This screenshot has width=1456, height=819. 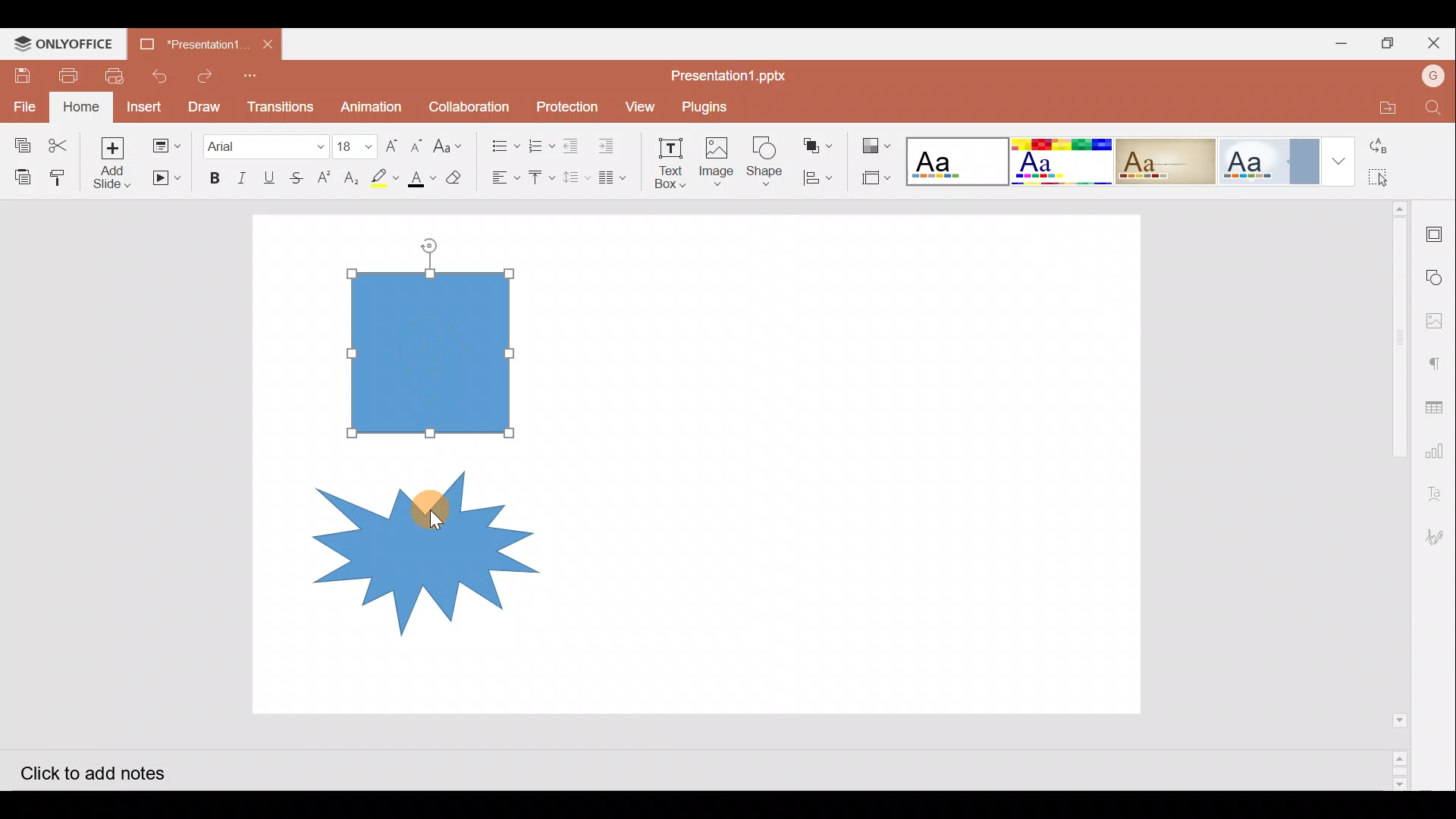 What do you see at coordinates (272, 175) in the screenshot?
I see `Underline` at bounding box center [272, 175].